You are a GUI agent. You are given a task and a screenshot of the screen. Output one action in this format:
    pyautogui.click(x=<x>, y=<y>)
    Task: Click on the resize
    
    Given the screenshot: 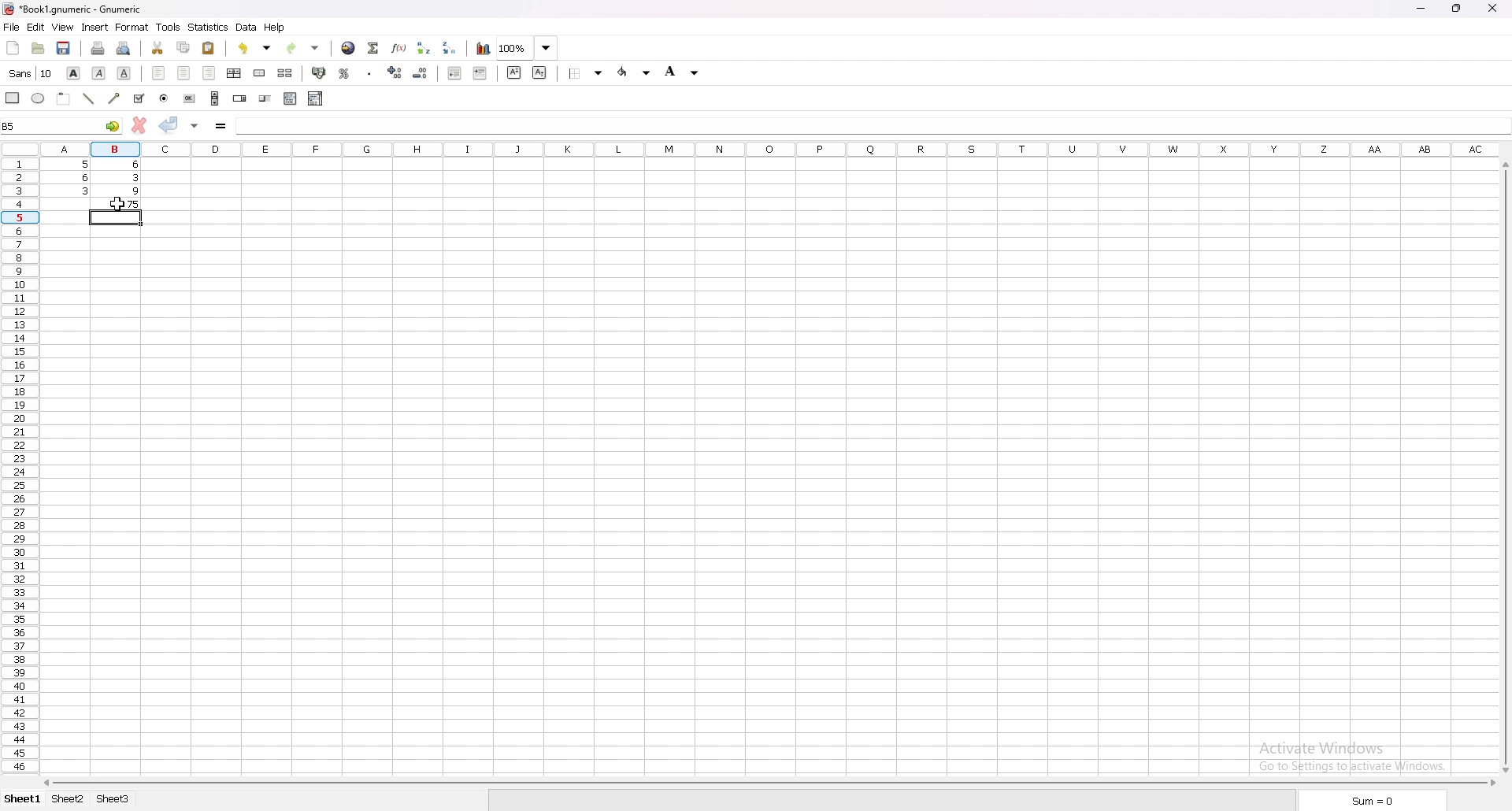 What is the action you would take?
    pyautogui.click(x=1456, y=9)
    